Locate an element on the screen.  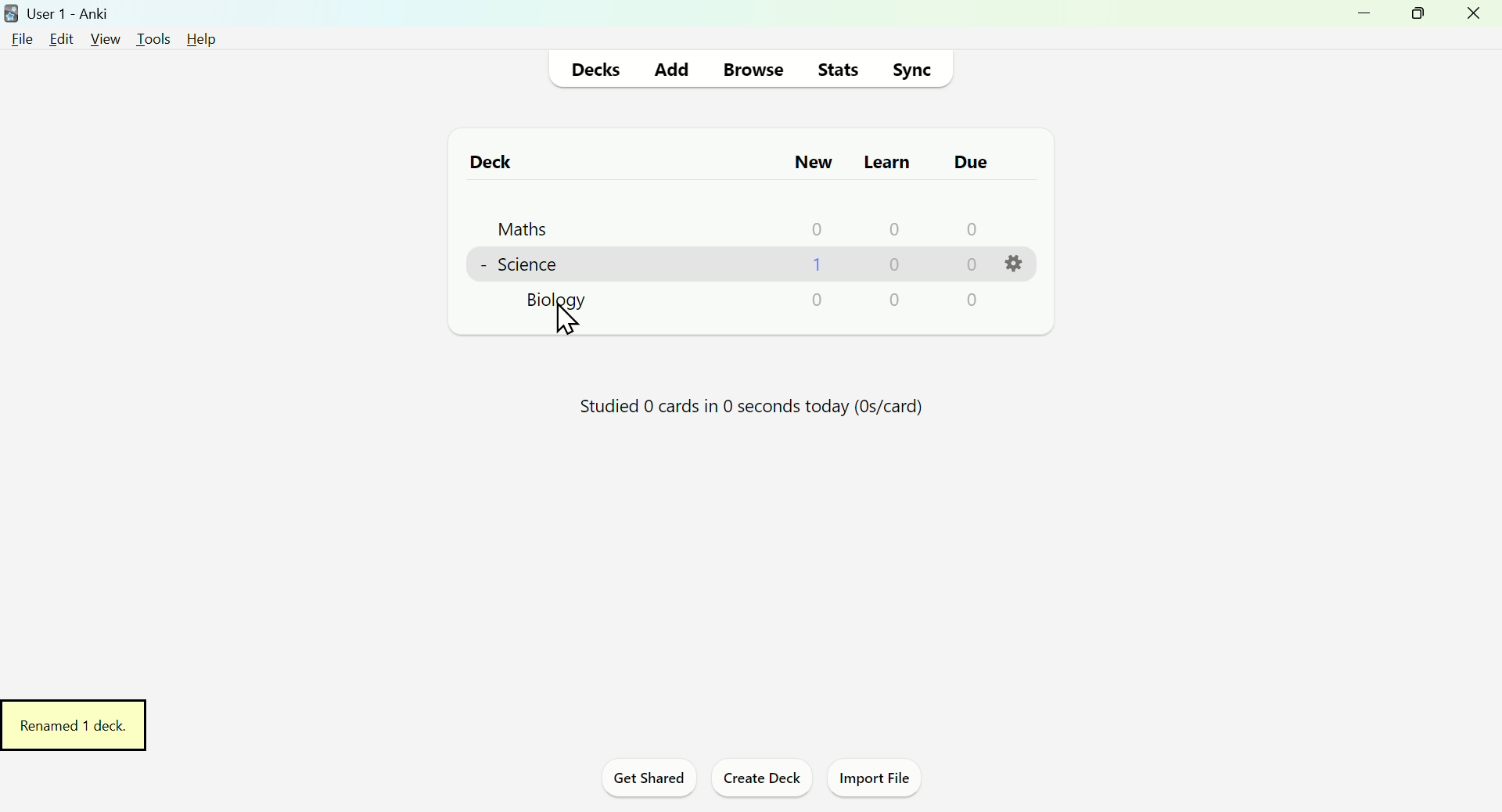
Close is located at coordinates (1476, 18).